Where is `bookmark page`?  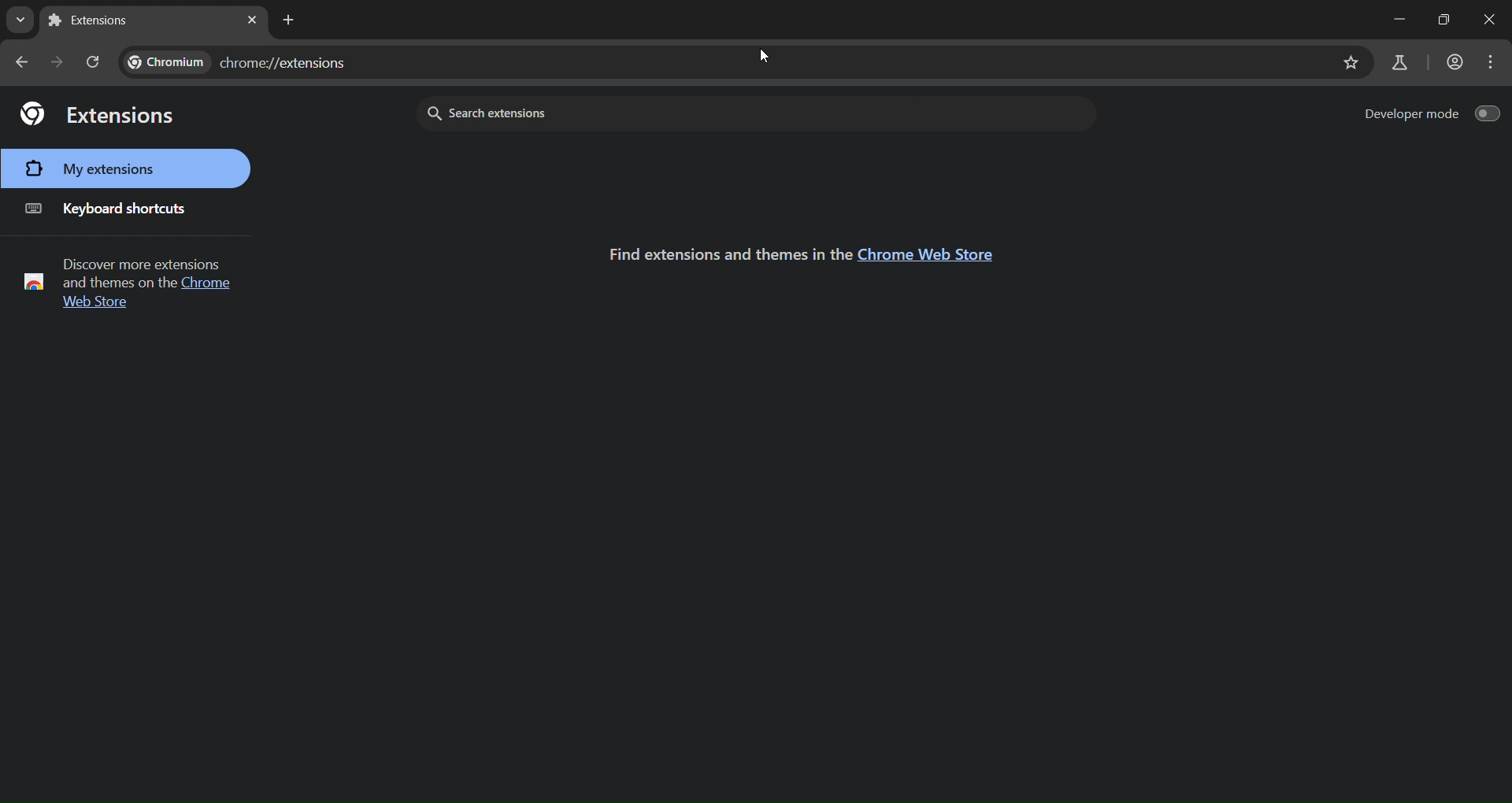 bookmark page is located at coordinates (1351, 62).